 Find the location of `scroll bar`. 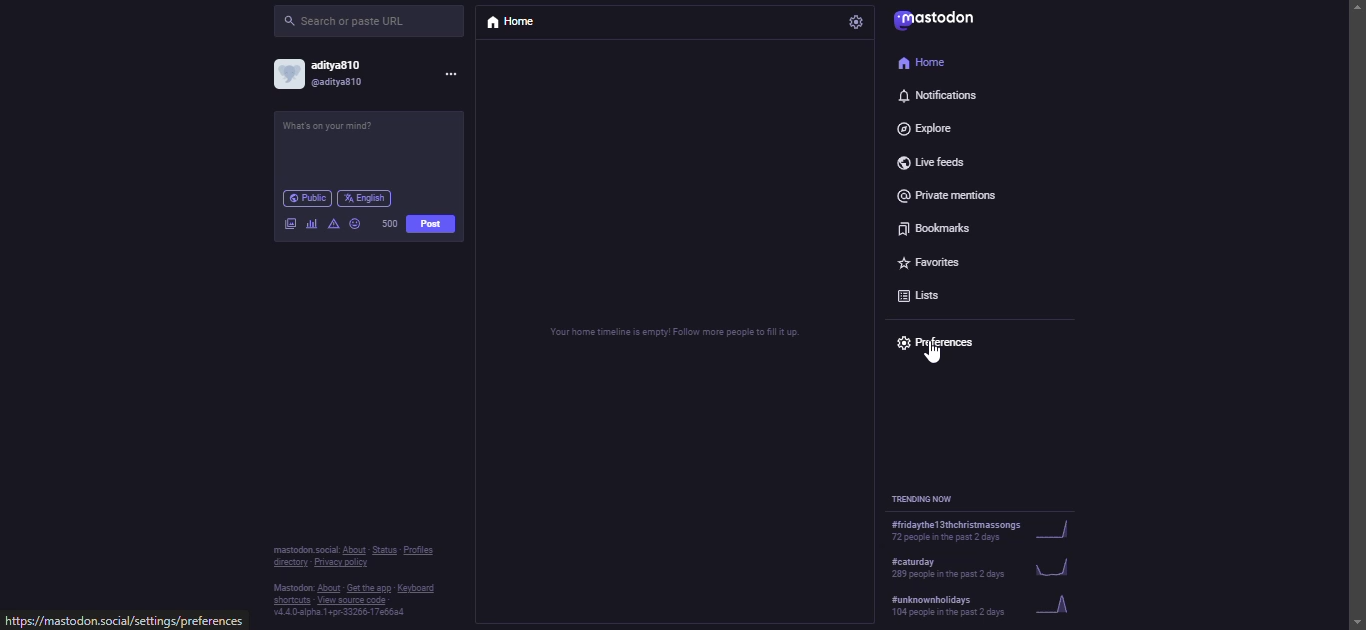

scroll bar is located at coordinates (1356, 296).